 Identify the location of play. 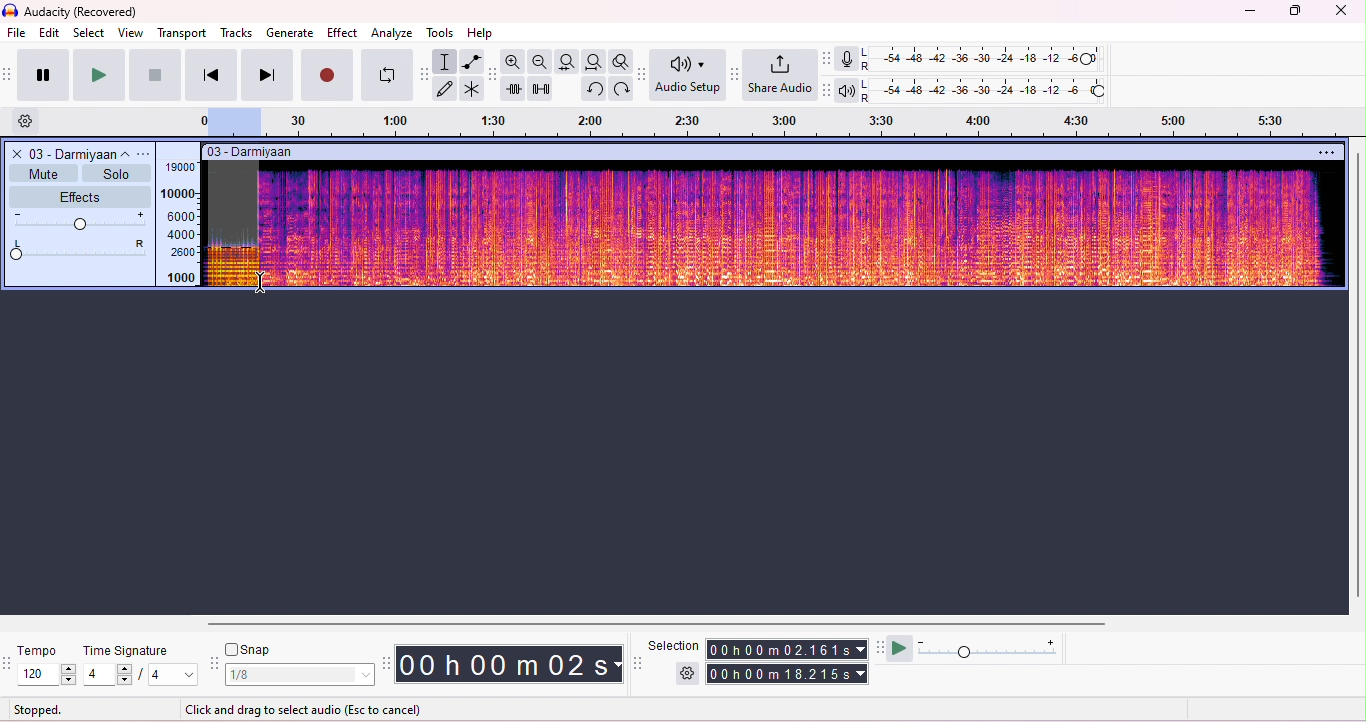
(98, 75).